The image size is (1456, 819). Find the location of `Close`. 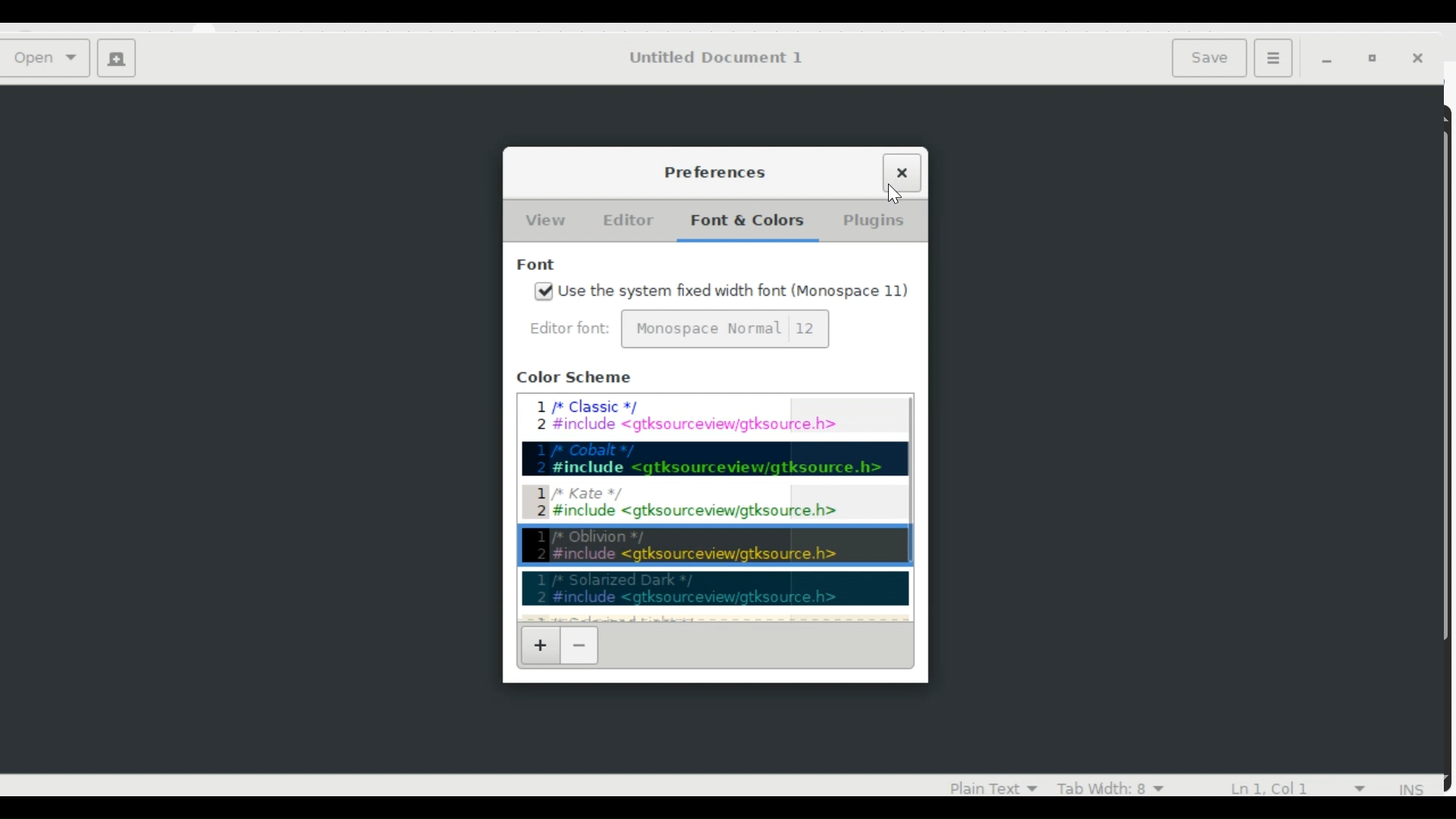

Close is located at coordinates (1422, 60).